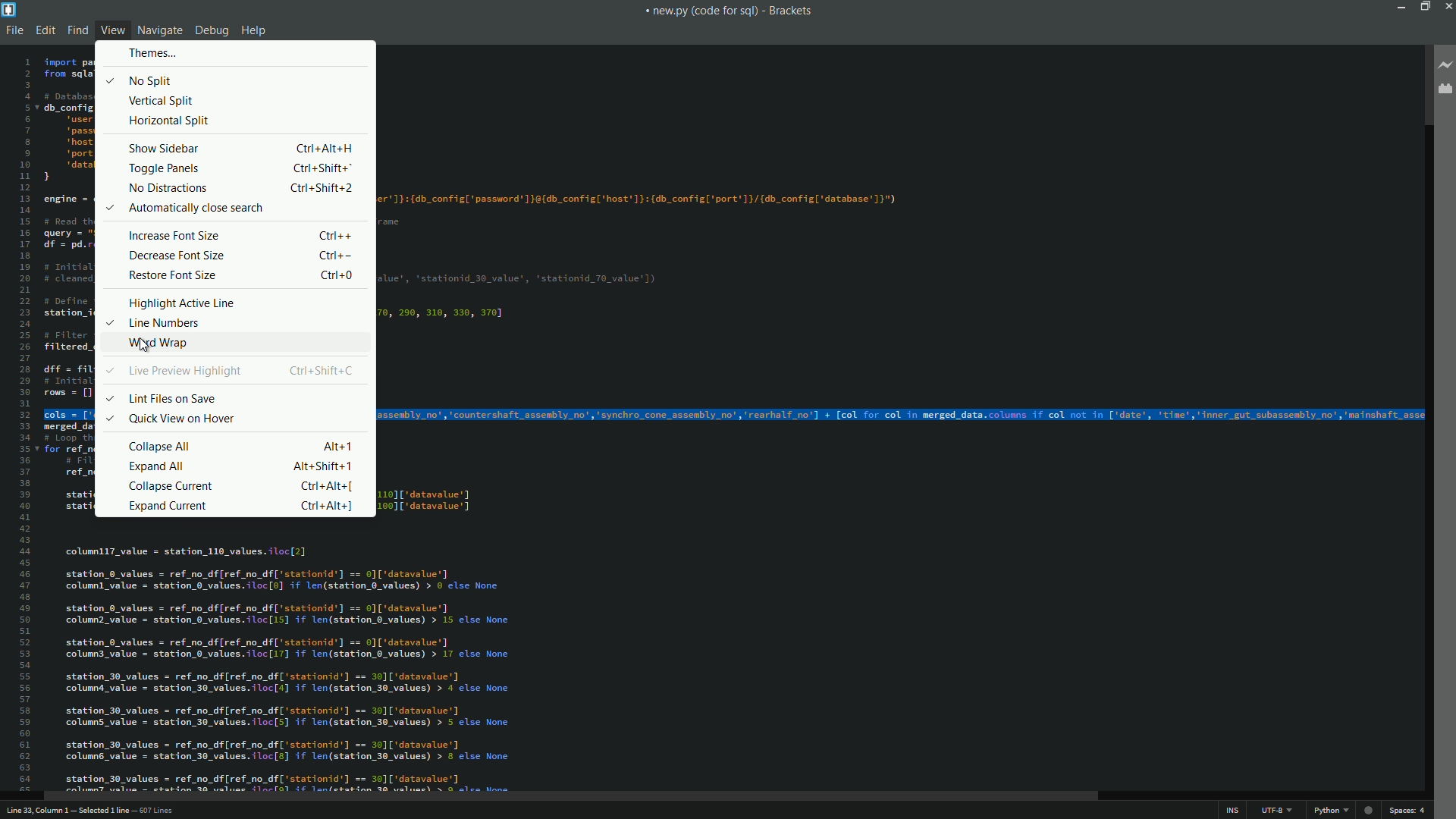 The height and width of the screenshot is (819, 1456). I want to click on keyboard shortcut, so click(325, 506).